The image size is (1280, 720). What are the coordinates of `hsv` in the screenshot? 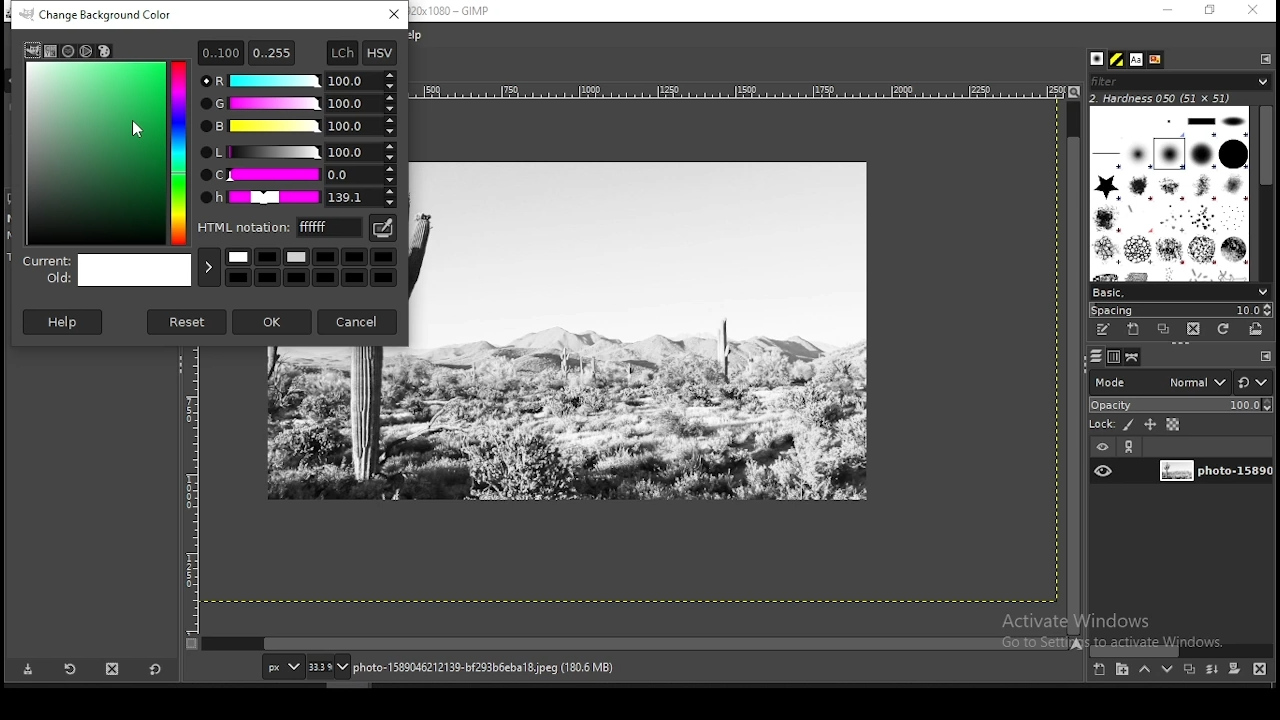 It's located at (380, 53).